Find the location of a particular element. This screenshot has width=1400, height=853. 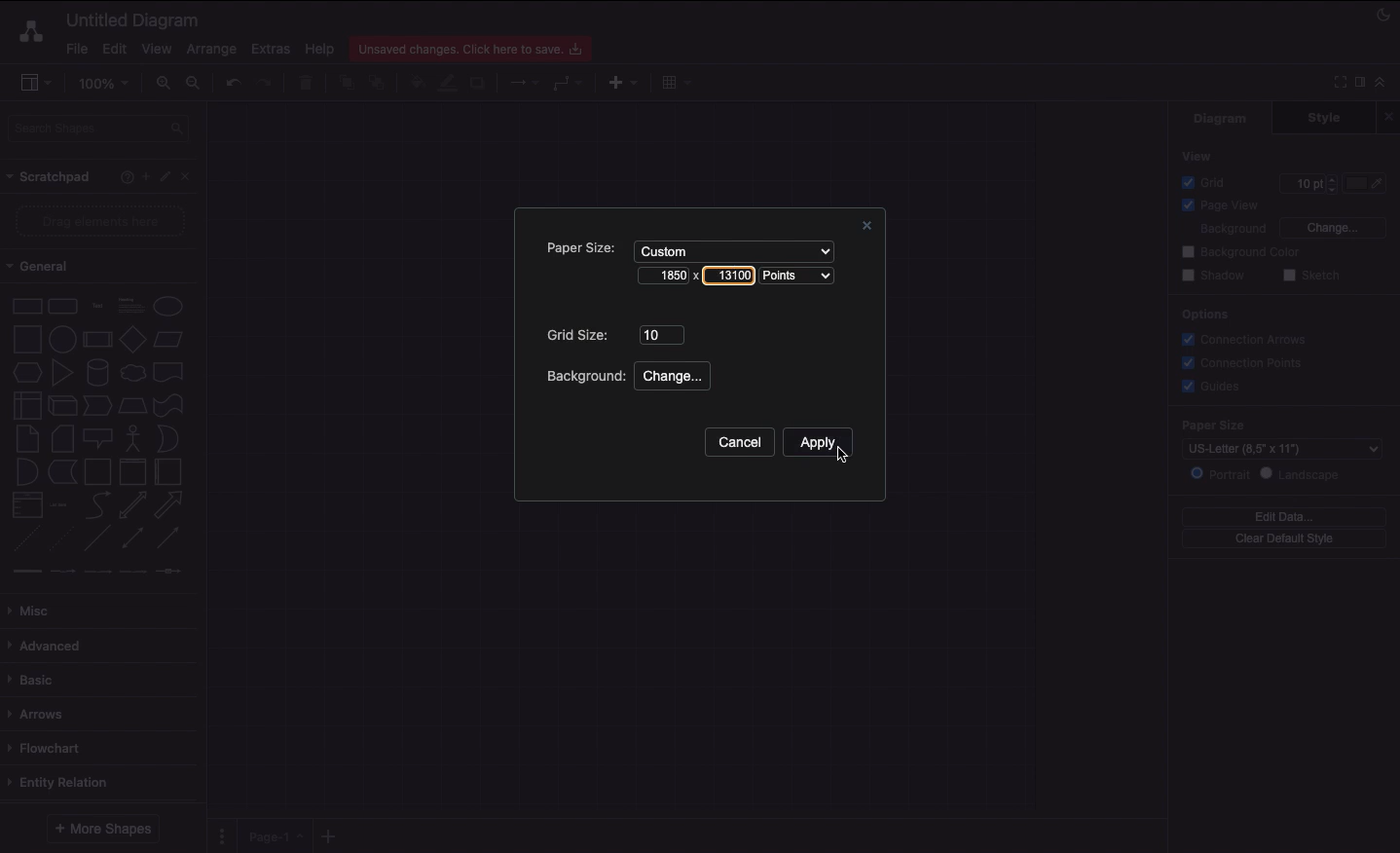

change is located at coordinates (673, 375).